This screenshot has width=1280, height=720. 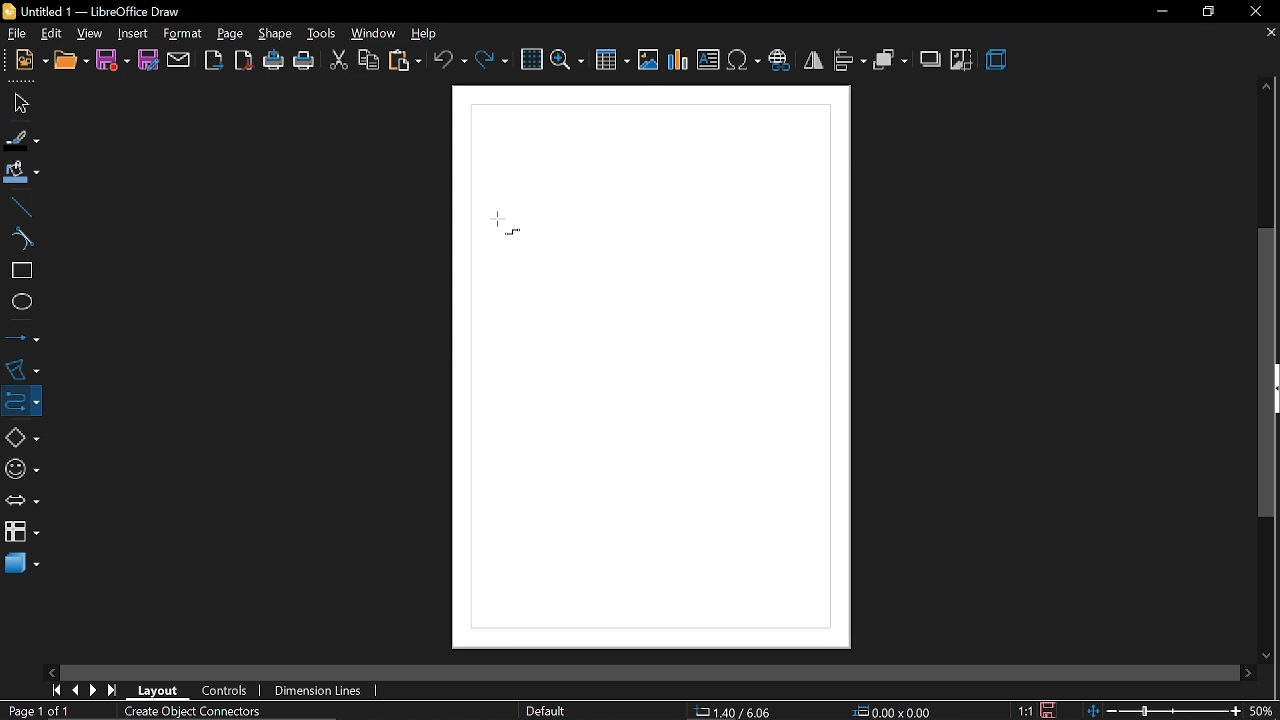 What do you see at coordinates (424, 33) in the screenshot?
I see `help` at bounding box center [424, 33].